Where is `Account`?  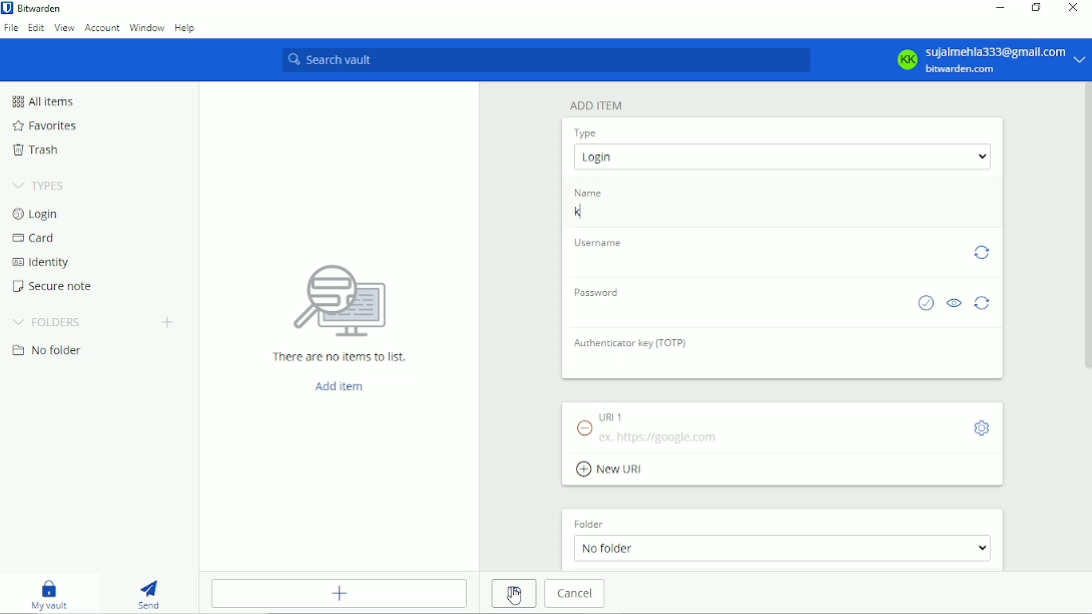 Account is located at coordinates (103, 28).